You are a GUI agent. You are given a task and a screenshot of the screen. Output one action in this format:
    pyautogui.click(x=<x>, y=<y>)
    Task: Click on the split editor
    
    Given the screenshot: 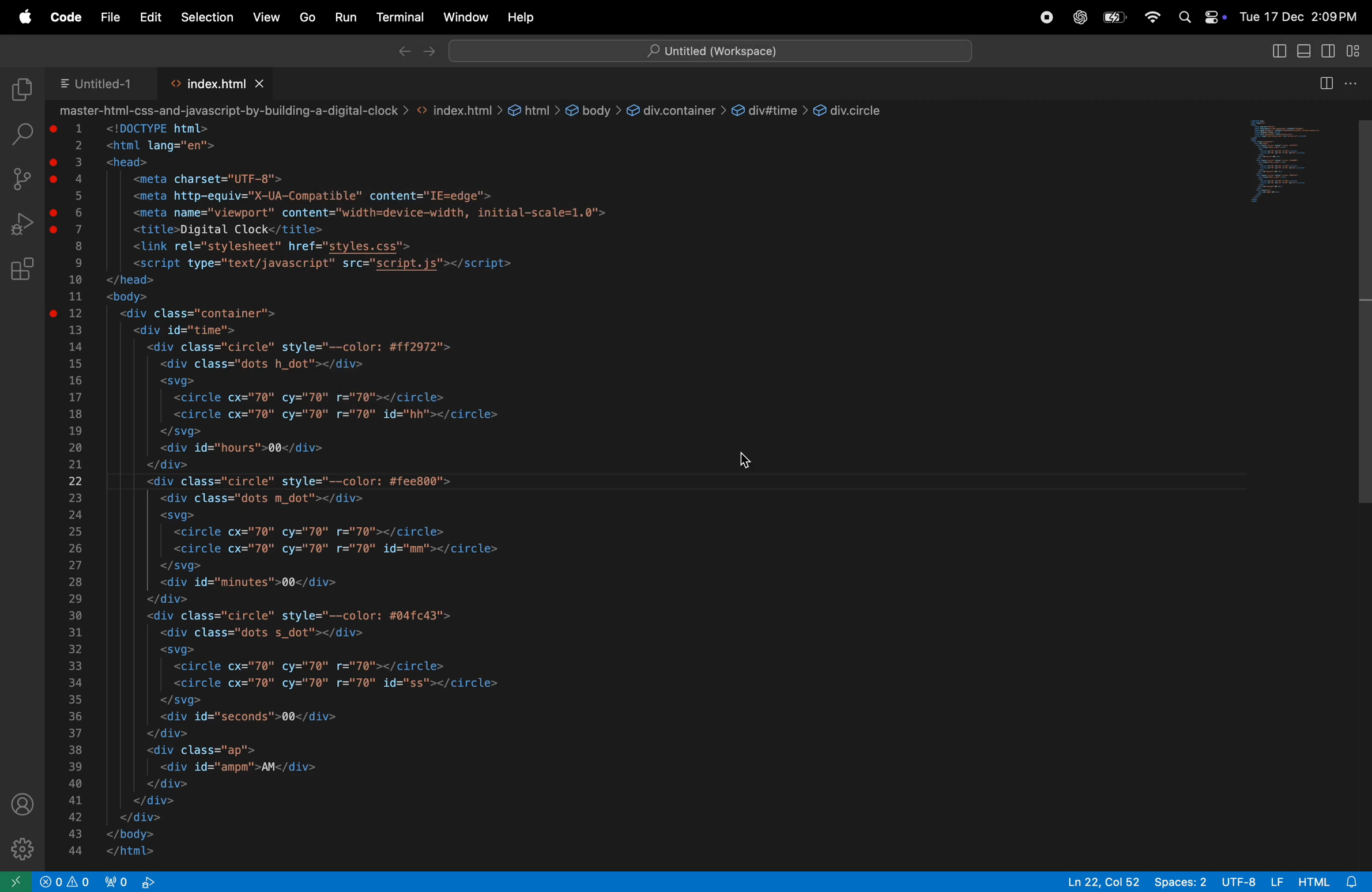 What is the action you would take?
    pyautogui.click(x=1326, y=81)
    